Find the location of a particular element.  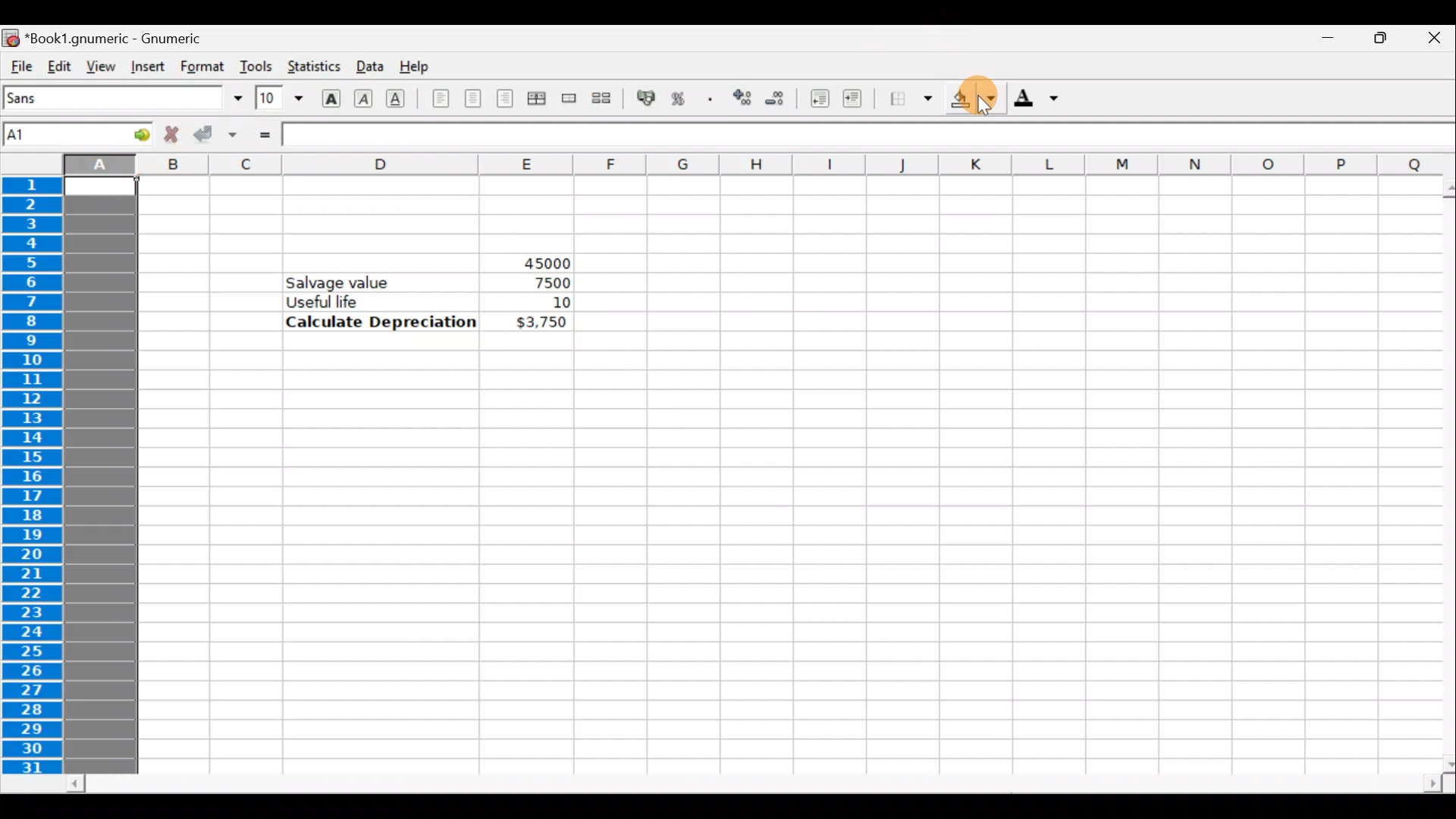

Data is located at coordinates (368, 65).